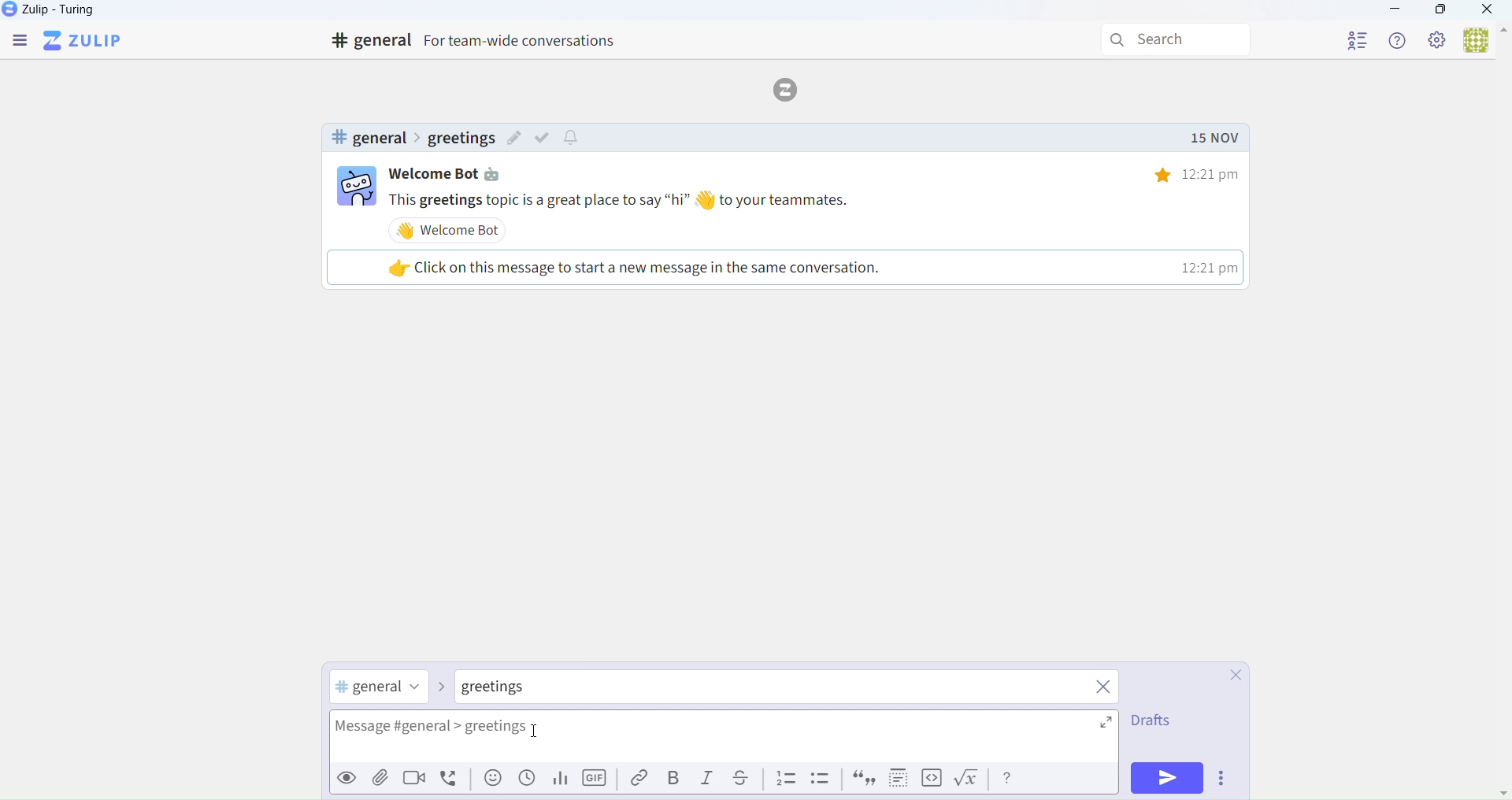 This screenshot has height=800, width=1512. What do you see at coordinates (455, 174) in the screenshot?
I see `bot name` at bounding box center [455, 174].